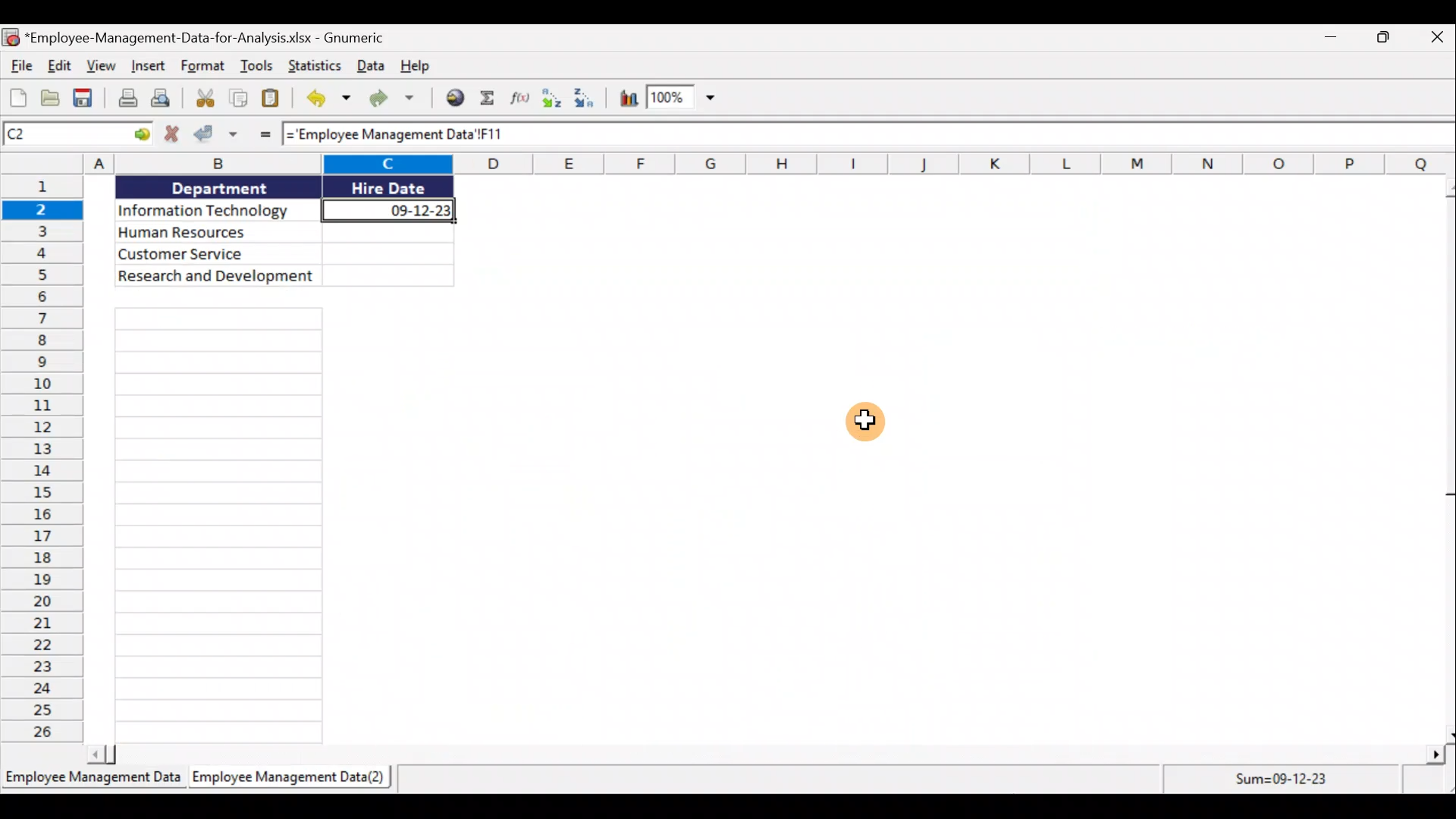  Describe the element at coordinates (439, 135) in the screenshot. I see `='Employee Management Data'!F11` at that location.